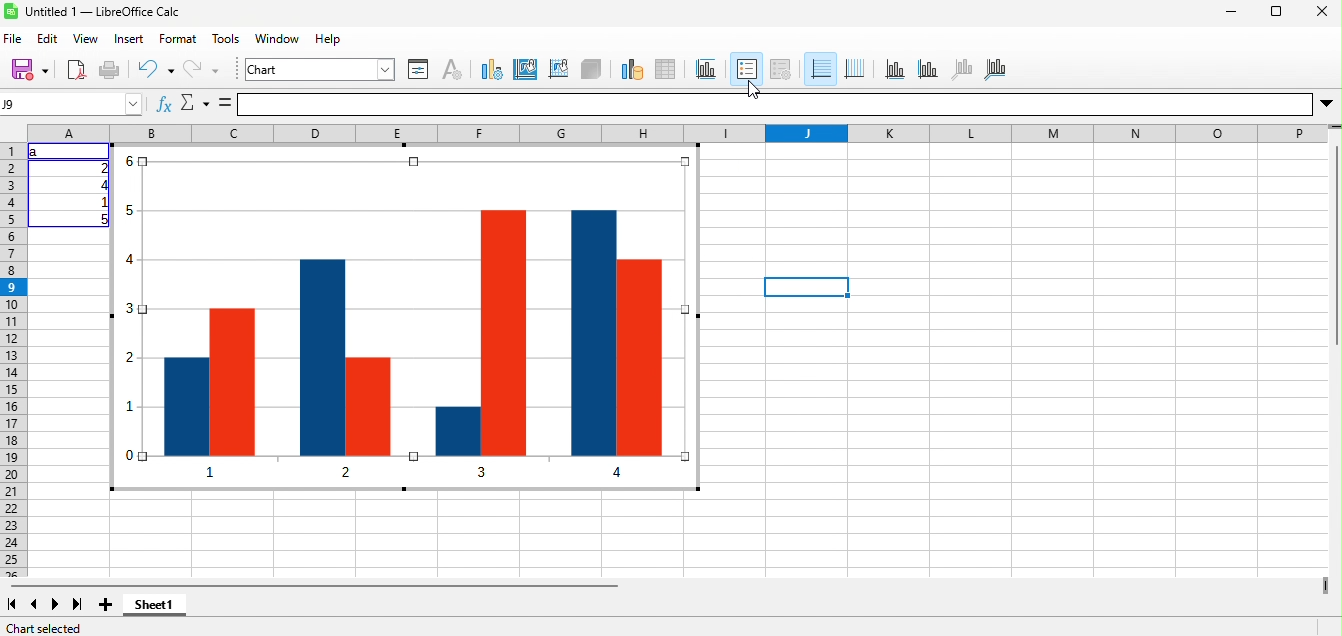 The height and width of the screenshot is (636, 1342). I want to click on Untitled 1 — LibreOffice Calc, so click(102, 12).